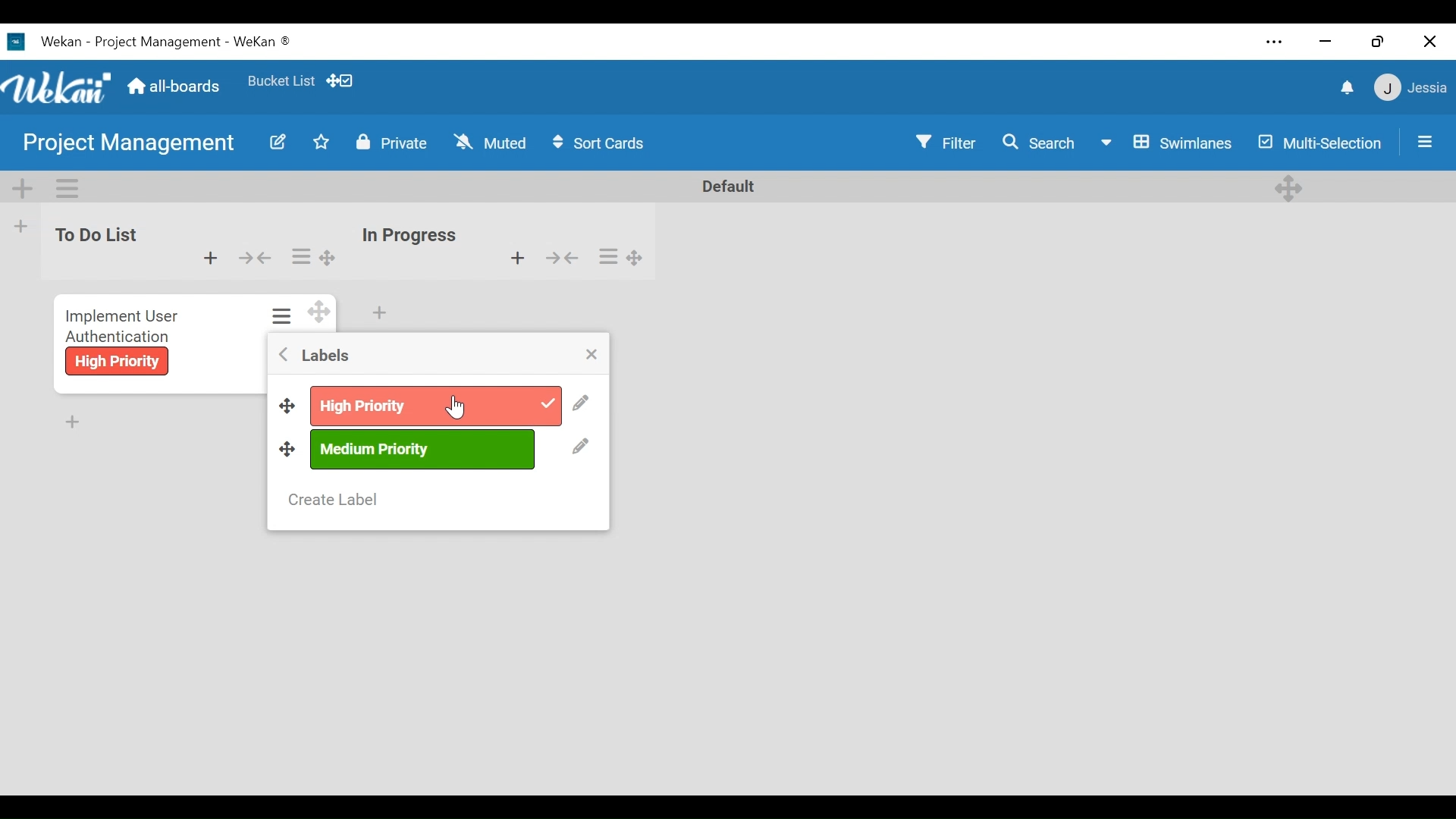 The width and height of the screenshot is (1456, 819). I want to click on minimize, so click(1328, 43).